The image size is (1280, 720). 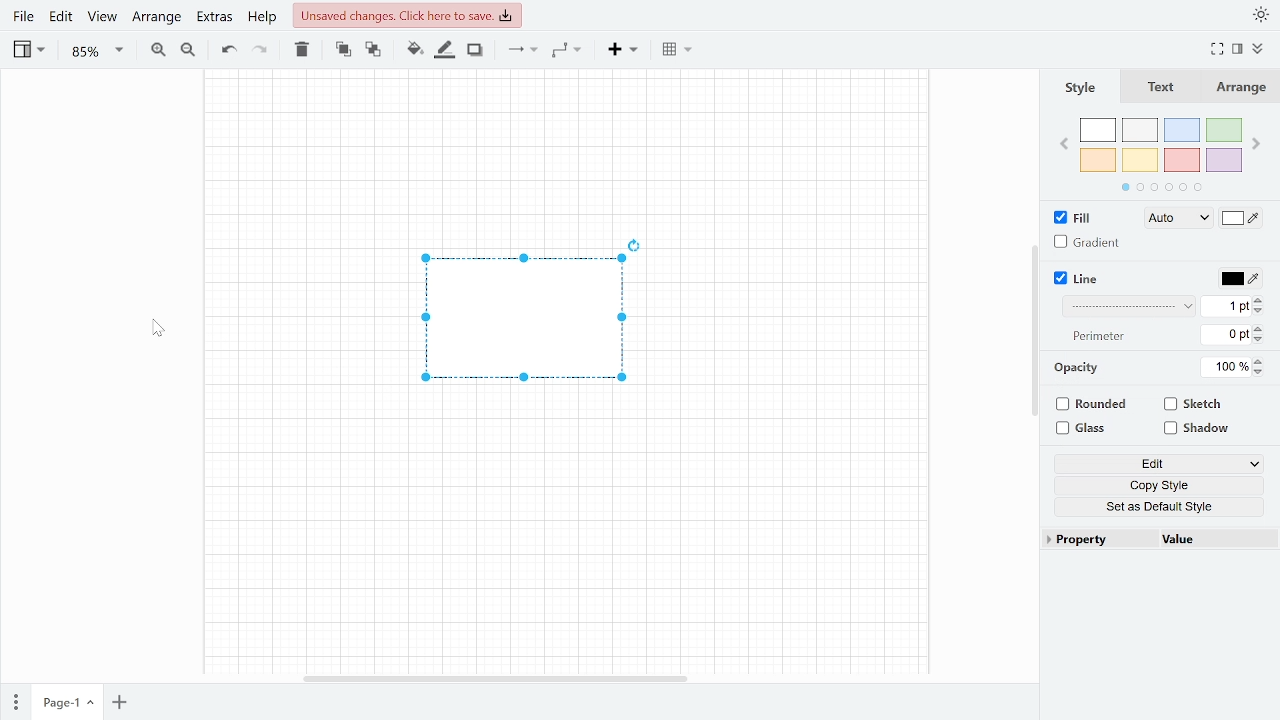 I want to click on Fill style, so click(x=1171, y=218).